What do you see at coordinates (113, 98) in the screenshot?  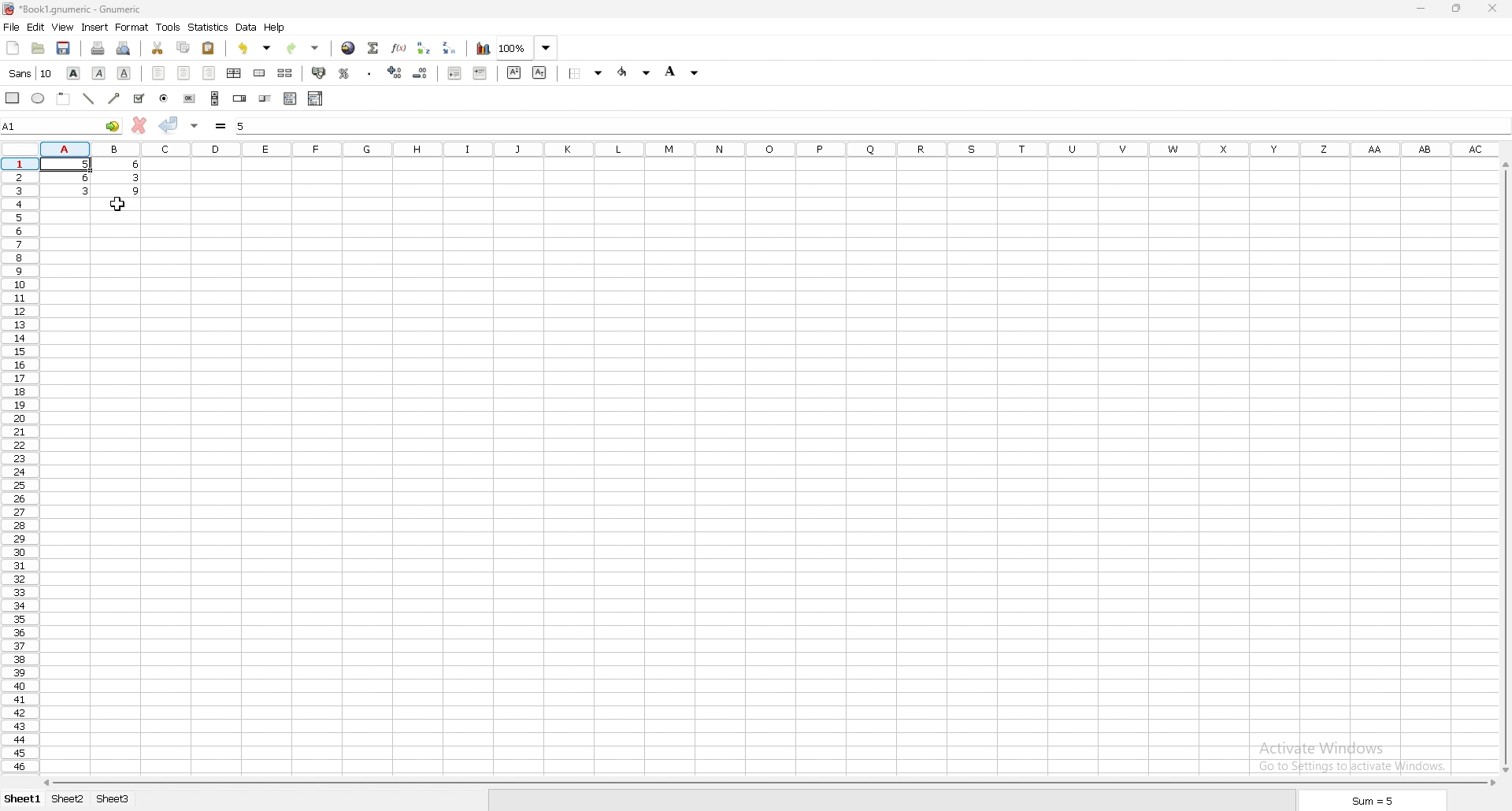 I see `arrow line` at bounding box center [113, 98].